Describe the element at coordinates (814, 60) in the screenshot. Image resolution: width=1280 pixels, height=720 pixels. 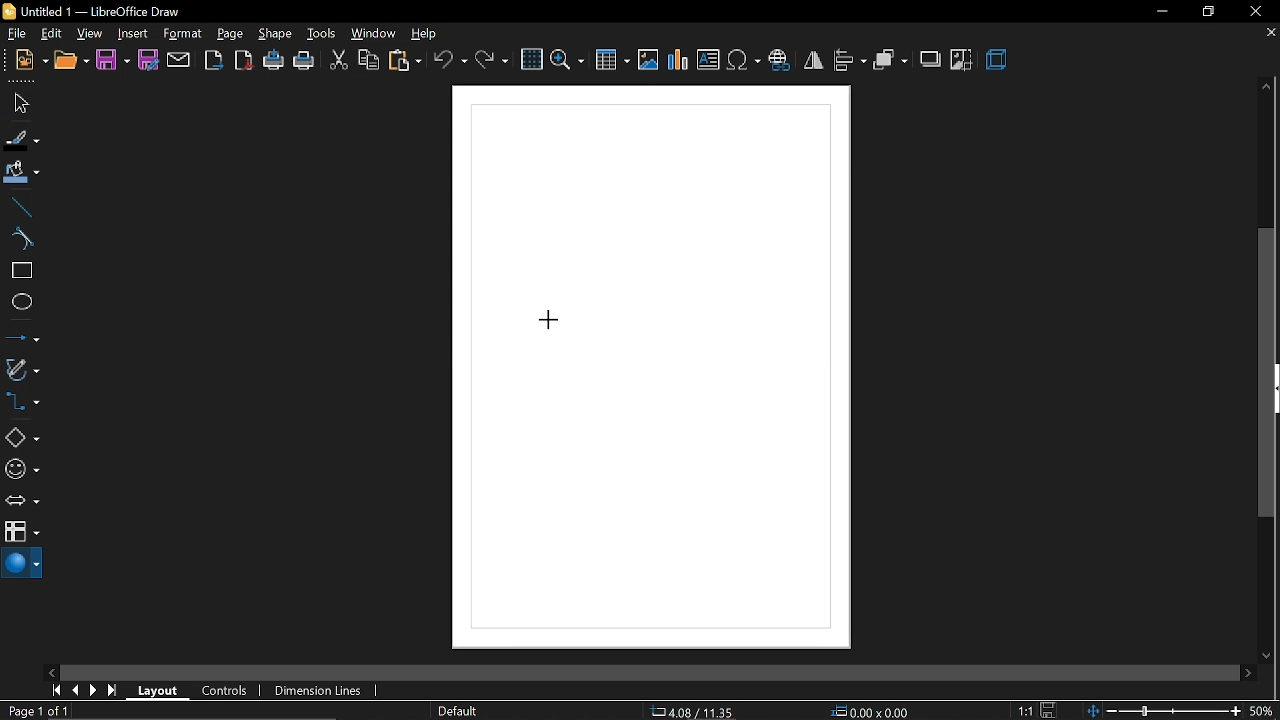
I see `flip` at that location.